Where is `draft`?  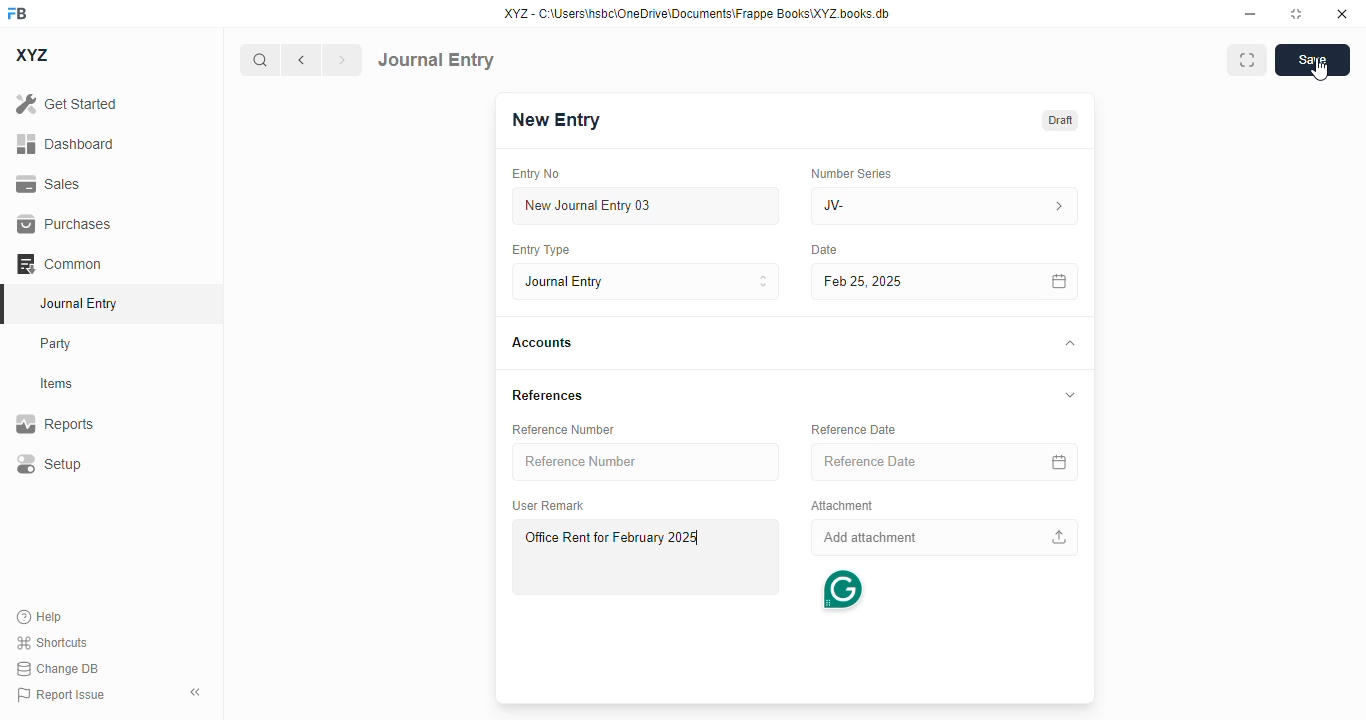 draft is located at coordinates (1061, 121).